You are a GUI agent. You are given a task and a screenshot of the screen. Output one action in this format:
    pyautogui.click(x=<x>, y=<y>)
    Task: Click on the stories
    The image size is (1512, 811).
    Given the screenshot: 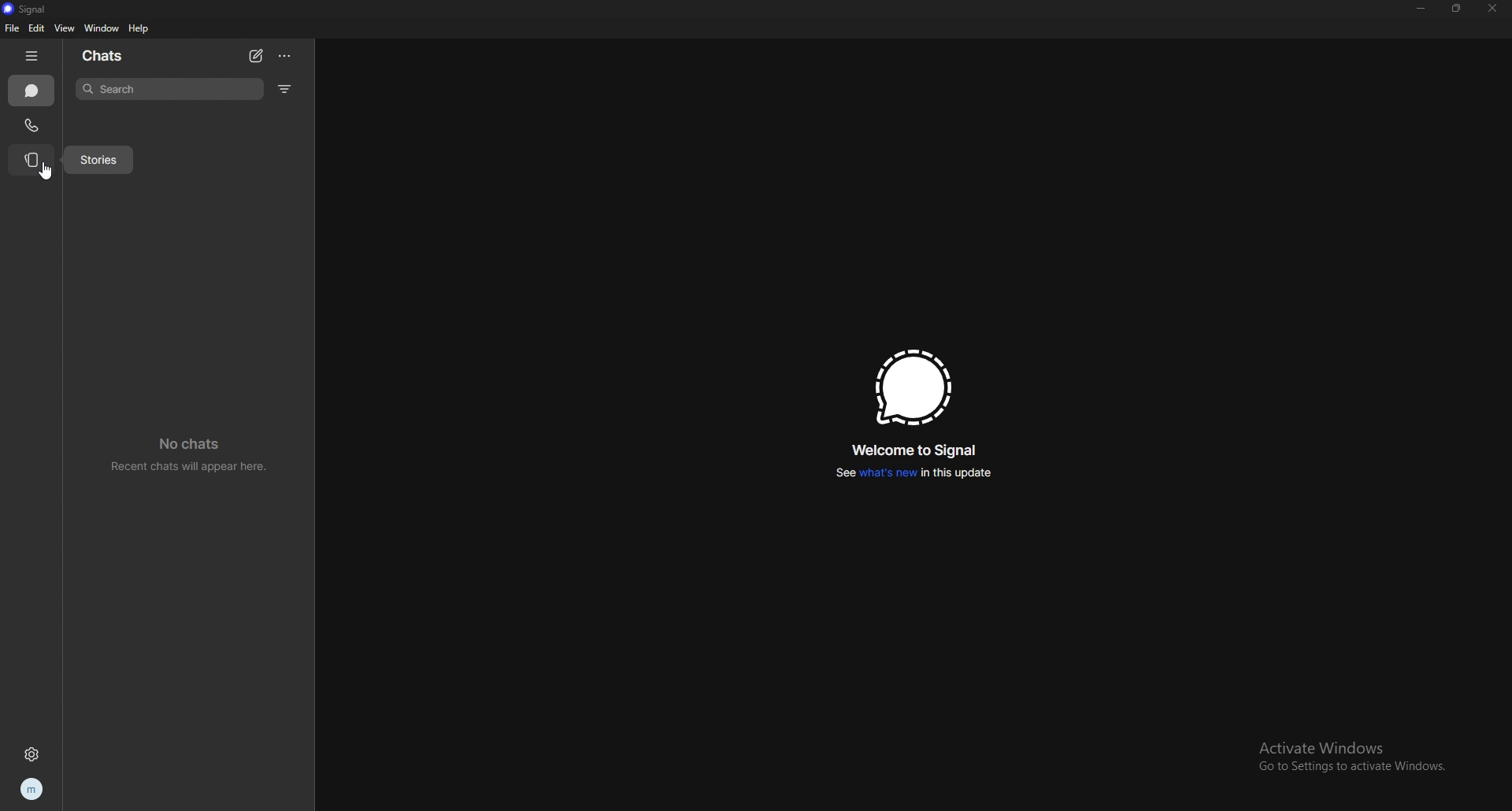 What is the action you would take?
    pyautogui.click(x=33, y=160)
    